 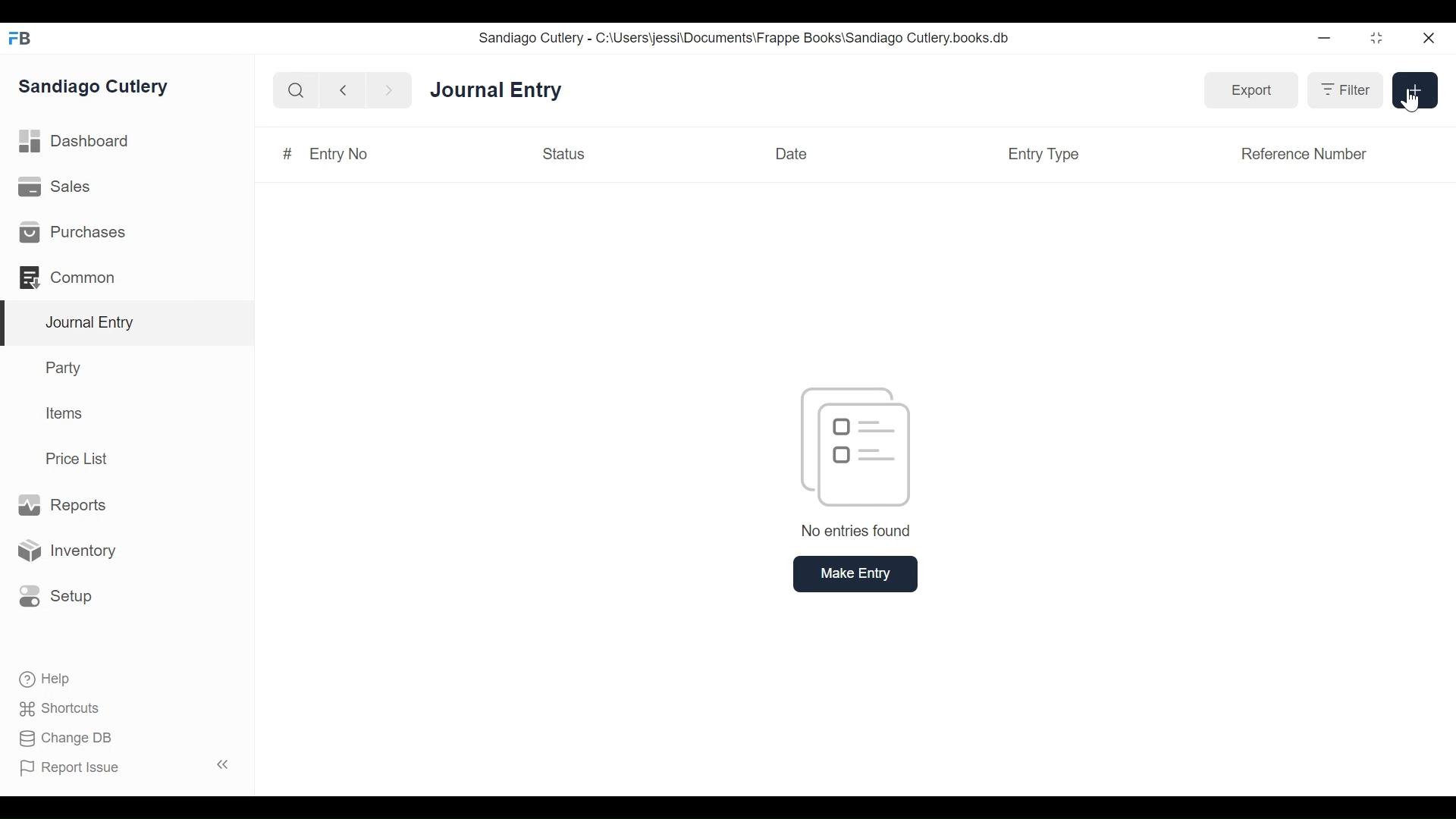 I want to click on +, so click(x=1415, y=89).